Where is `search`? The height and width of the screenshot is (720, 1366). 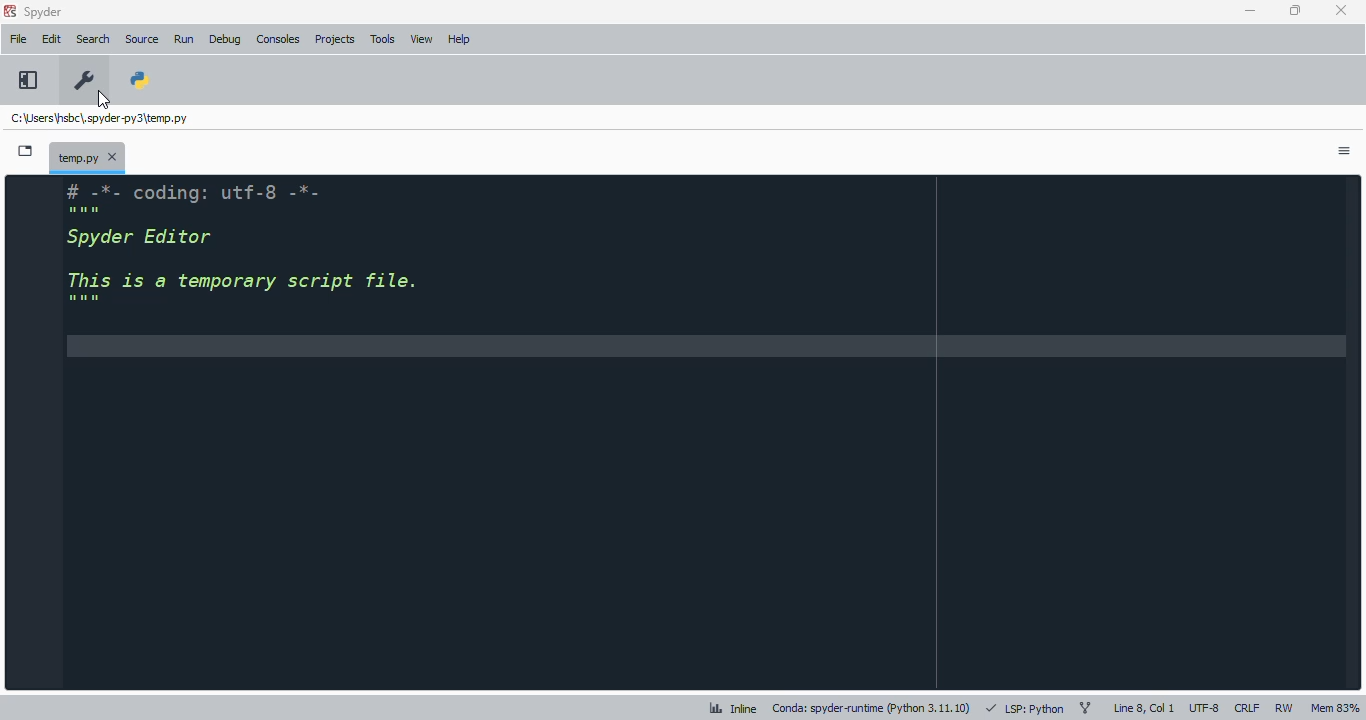 search is located at coordinates (94, 39).